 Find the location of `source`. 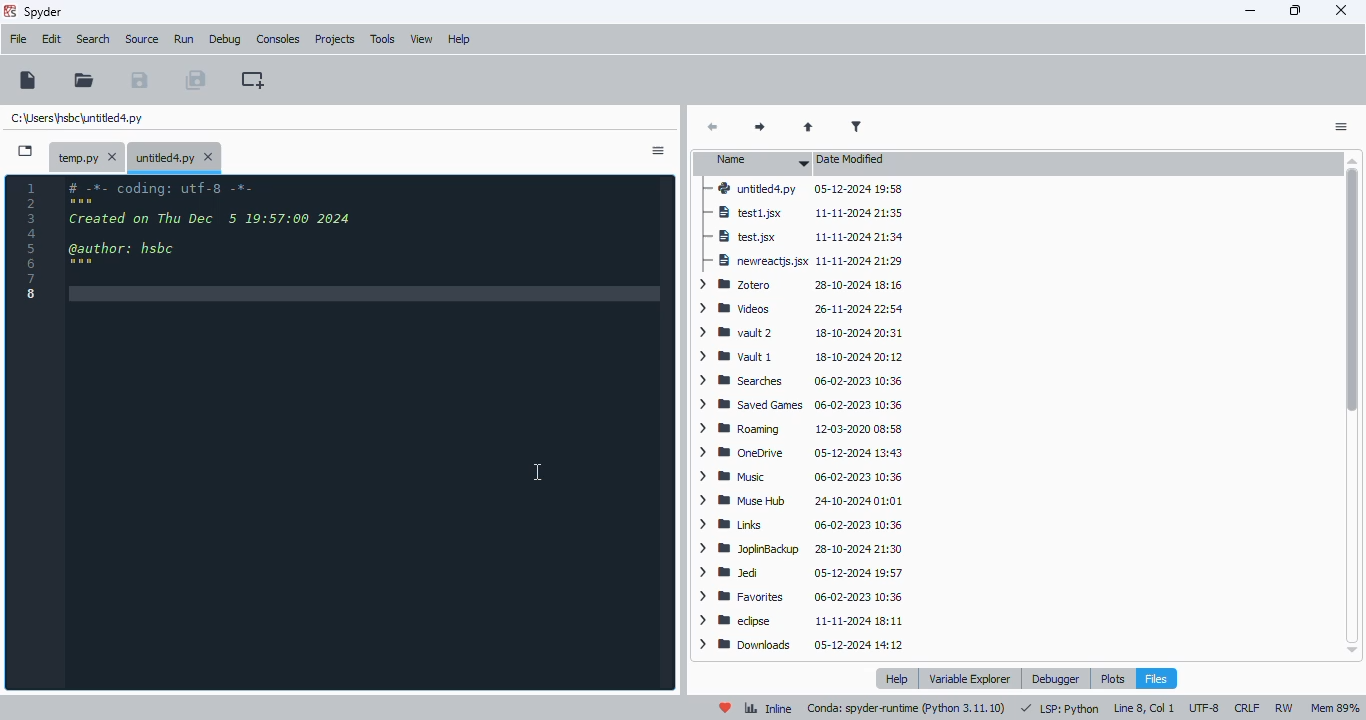

source is located at coordinates (143, 40).